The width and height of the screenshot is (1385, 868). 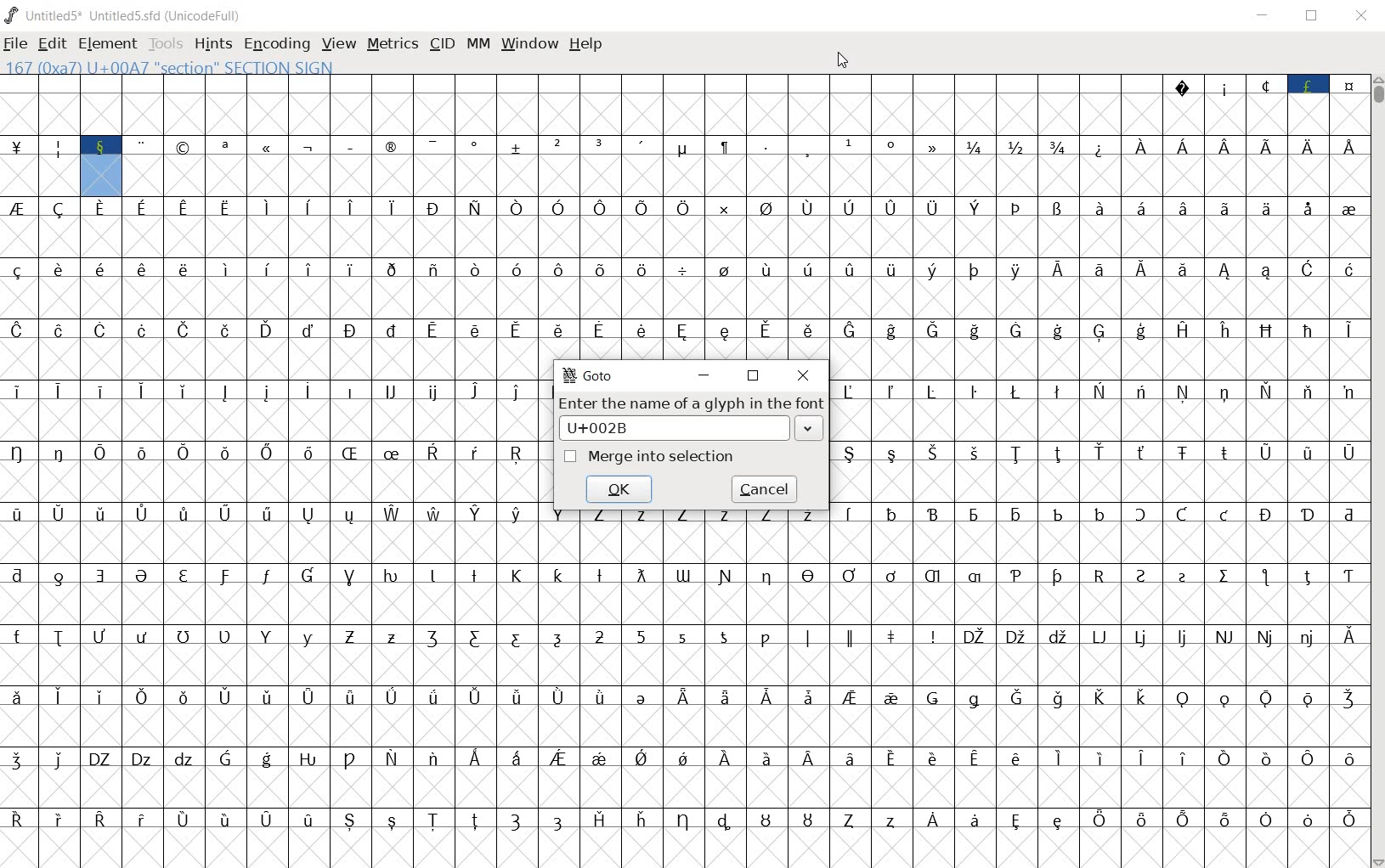 What do you see at coordinates (184, 286) in the screenshot?
I see `Latin extended characters` at bounding box center [184, 286].